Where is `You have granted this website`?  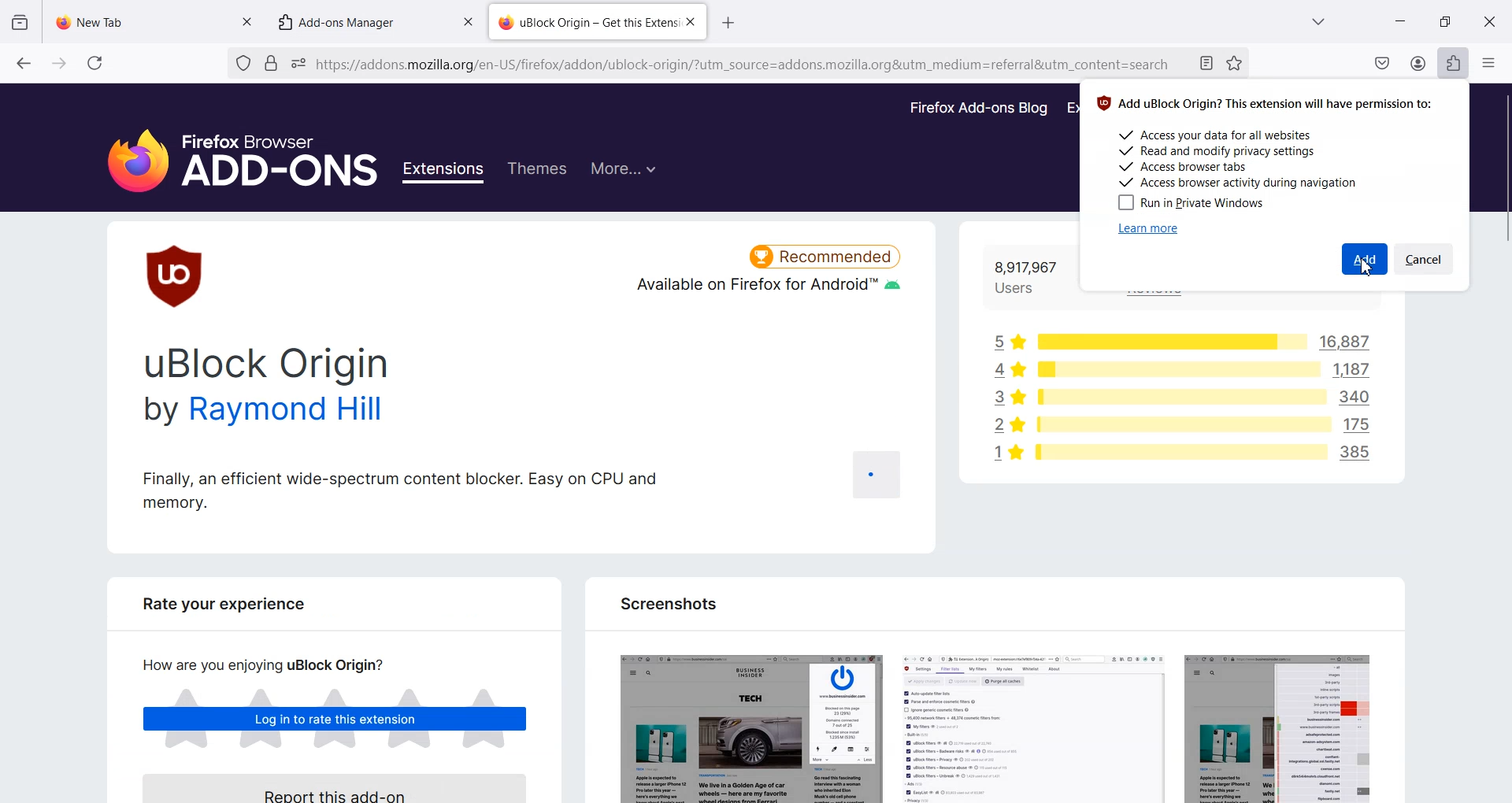 You have granted this website is located at coordinates (298, 64).